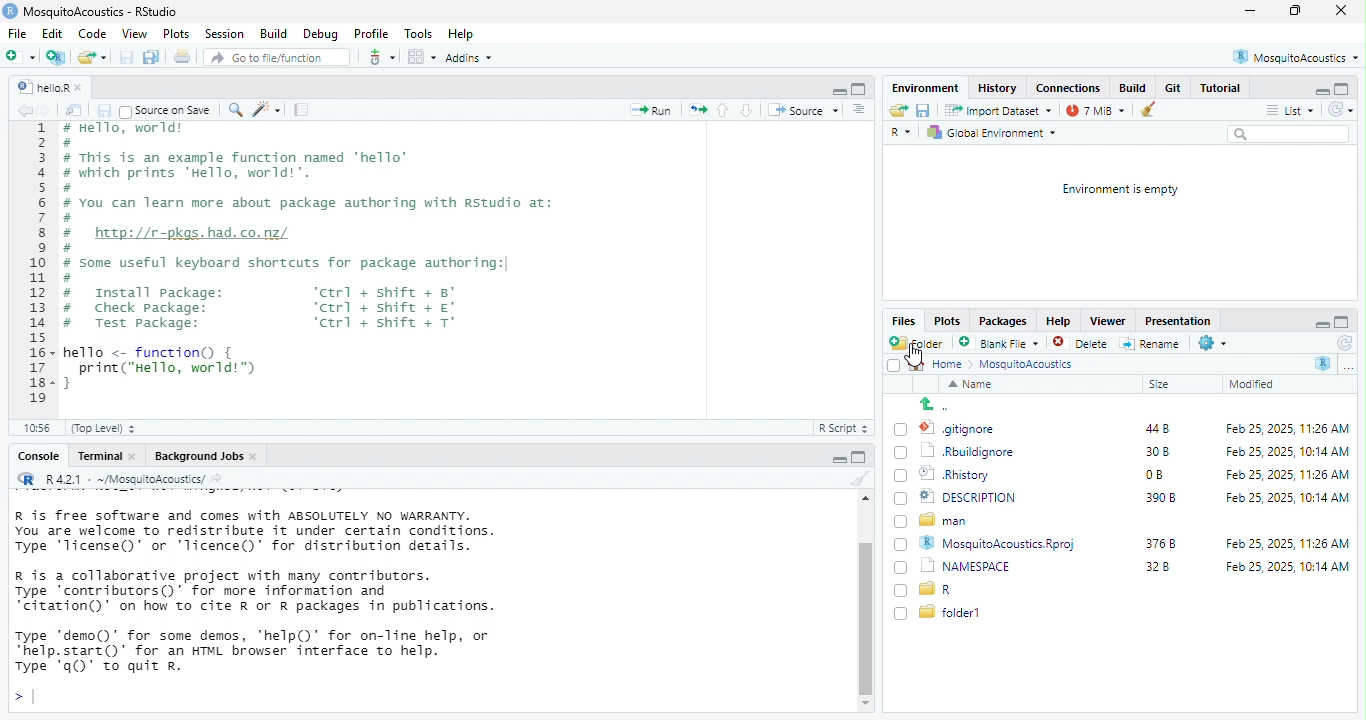  I want to click on 30 b, so click(1154, 451).